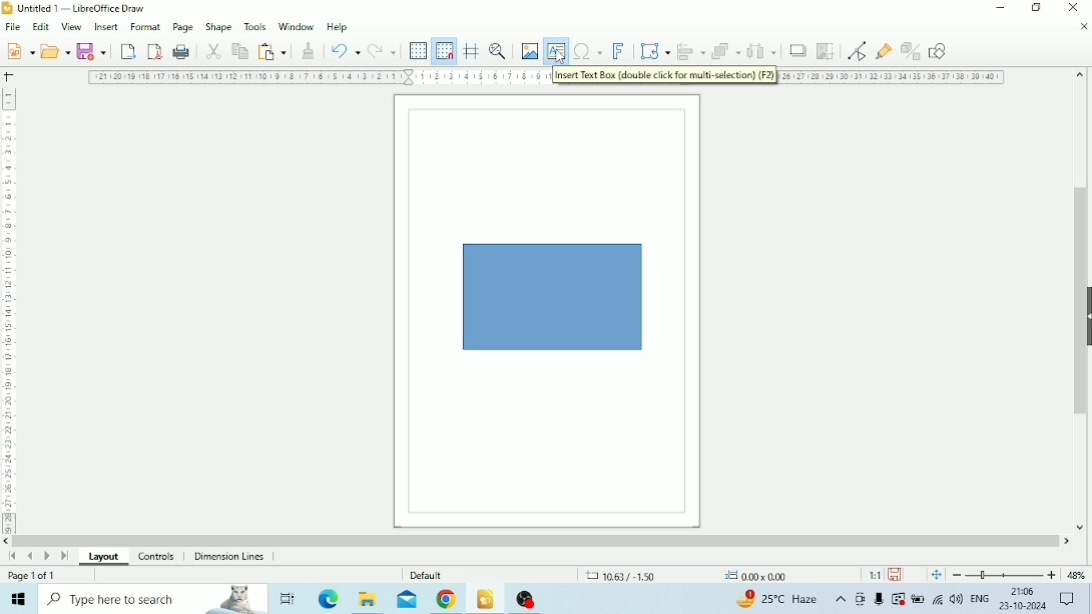  What do you see at coordinates (1022, 591) in the screenshot?
I see `Time` at bounding box center [1022, 591].